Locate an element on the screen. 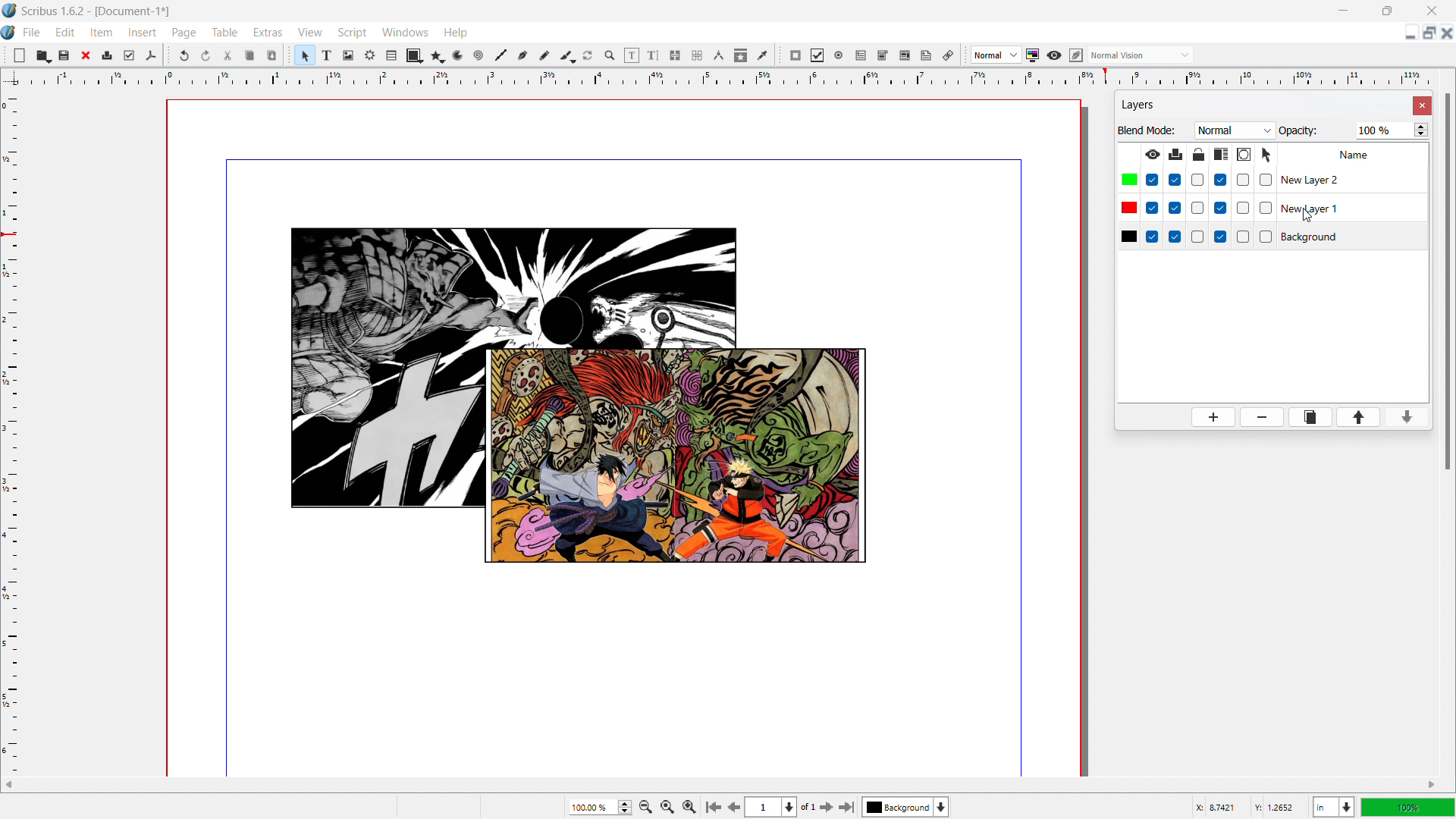  Blend Mode: is located at coordinates (1147, 130).